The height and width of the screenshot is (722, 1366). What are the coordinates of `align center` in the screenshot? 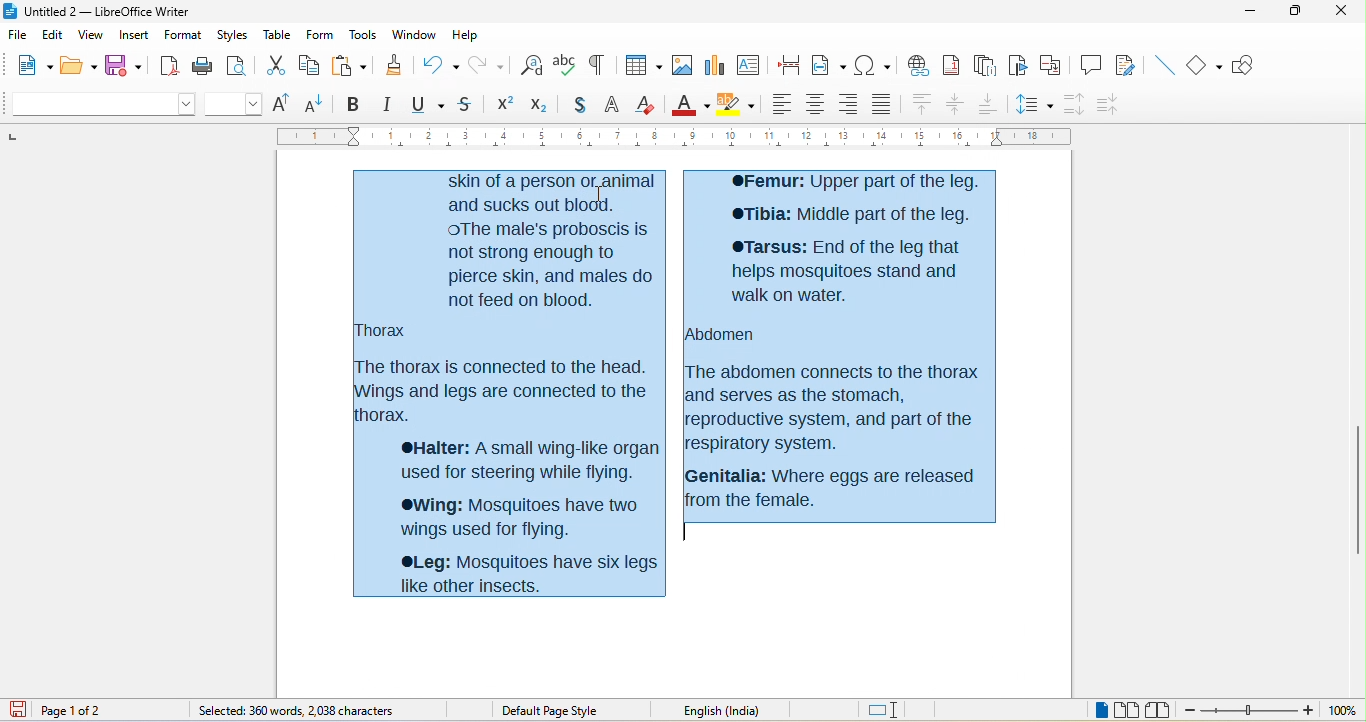 It's located at (815, 105).